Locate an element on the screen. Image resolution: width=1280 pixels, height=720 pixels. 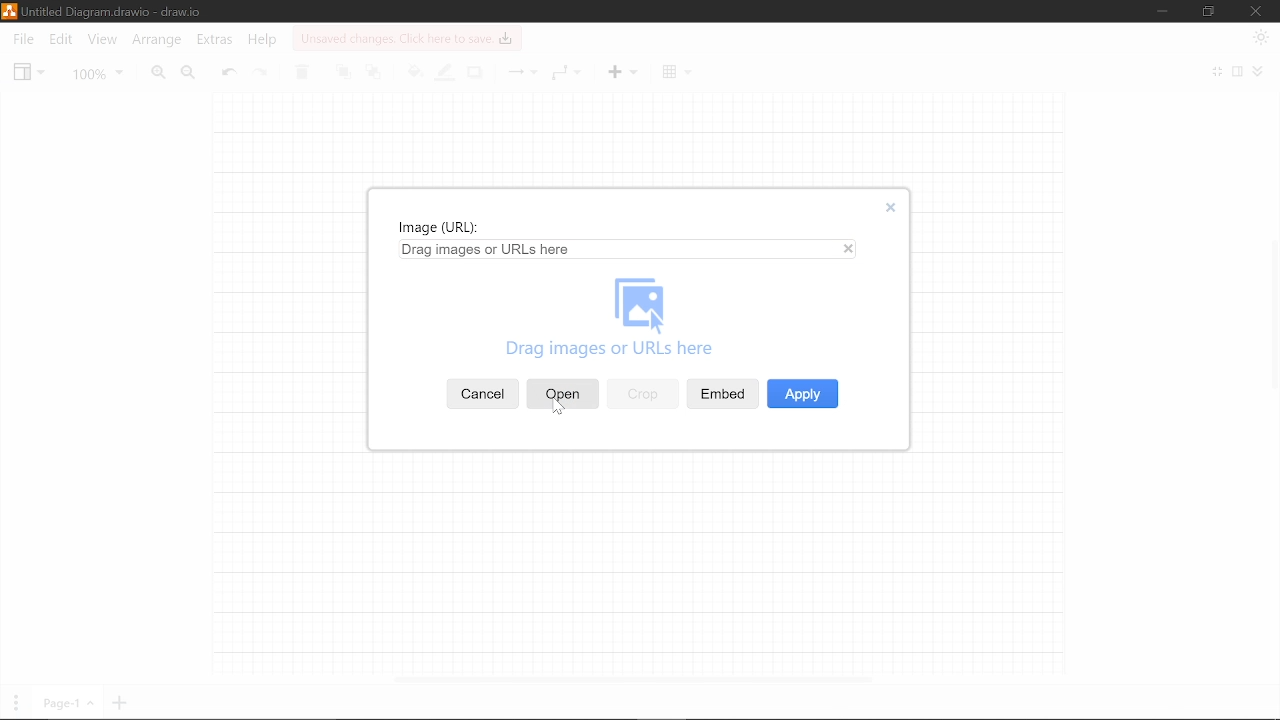
untitled diagram.drawio-draw.io is located at coordinates (114, 11).